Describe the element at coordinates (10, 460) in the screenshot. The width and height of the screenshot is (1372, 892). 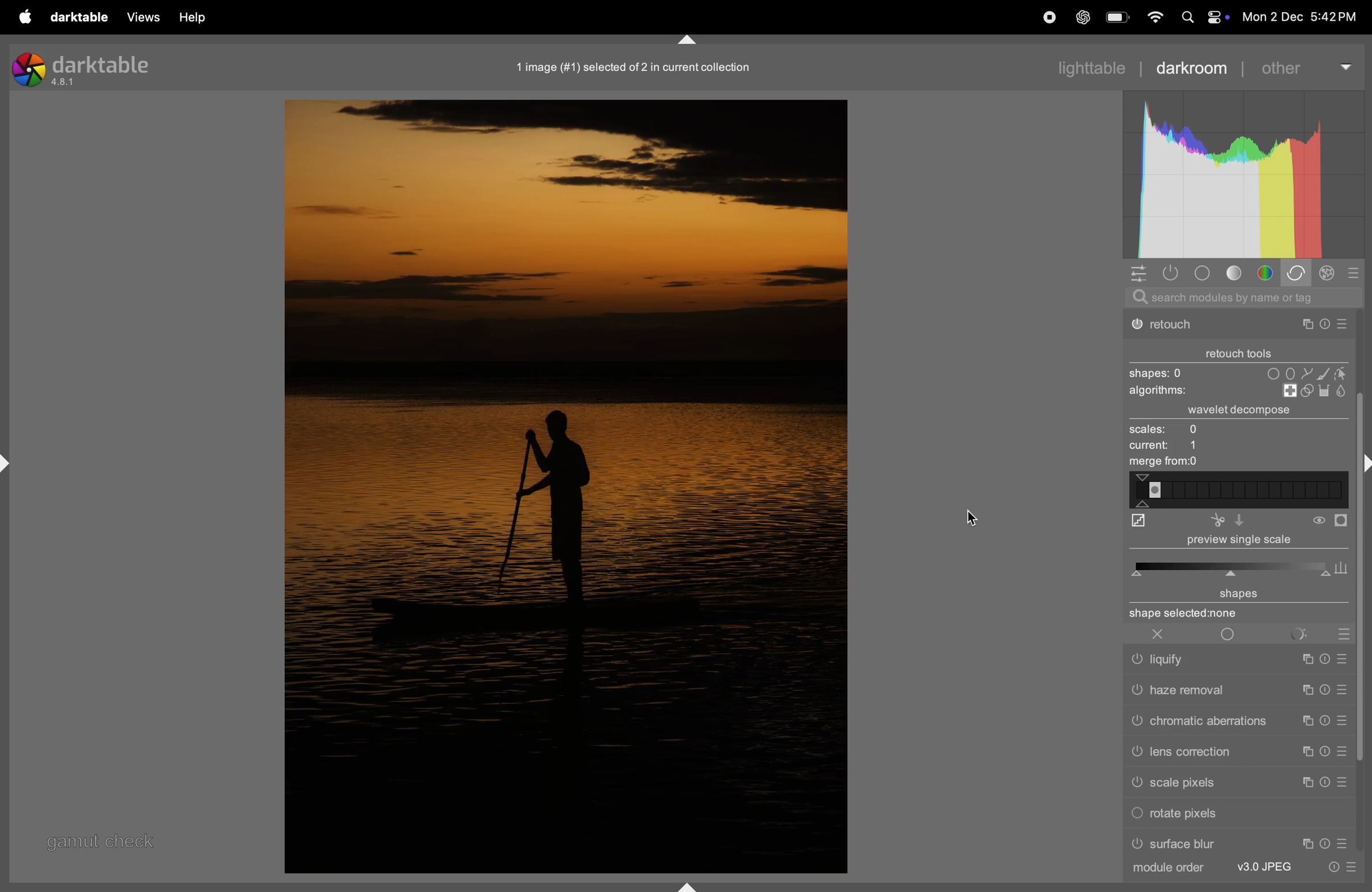
I see `expand` at that location.